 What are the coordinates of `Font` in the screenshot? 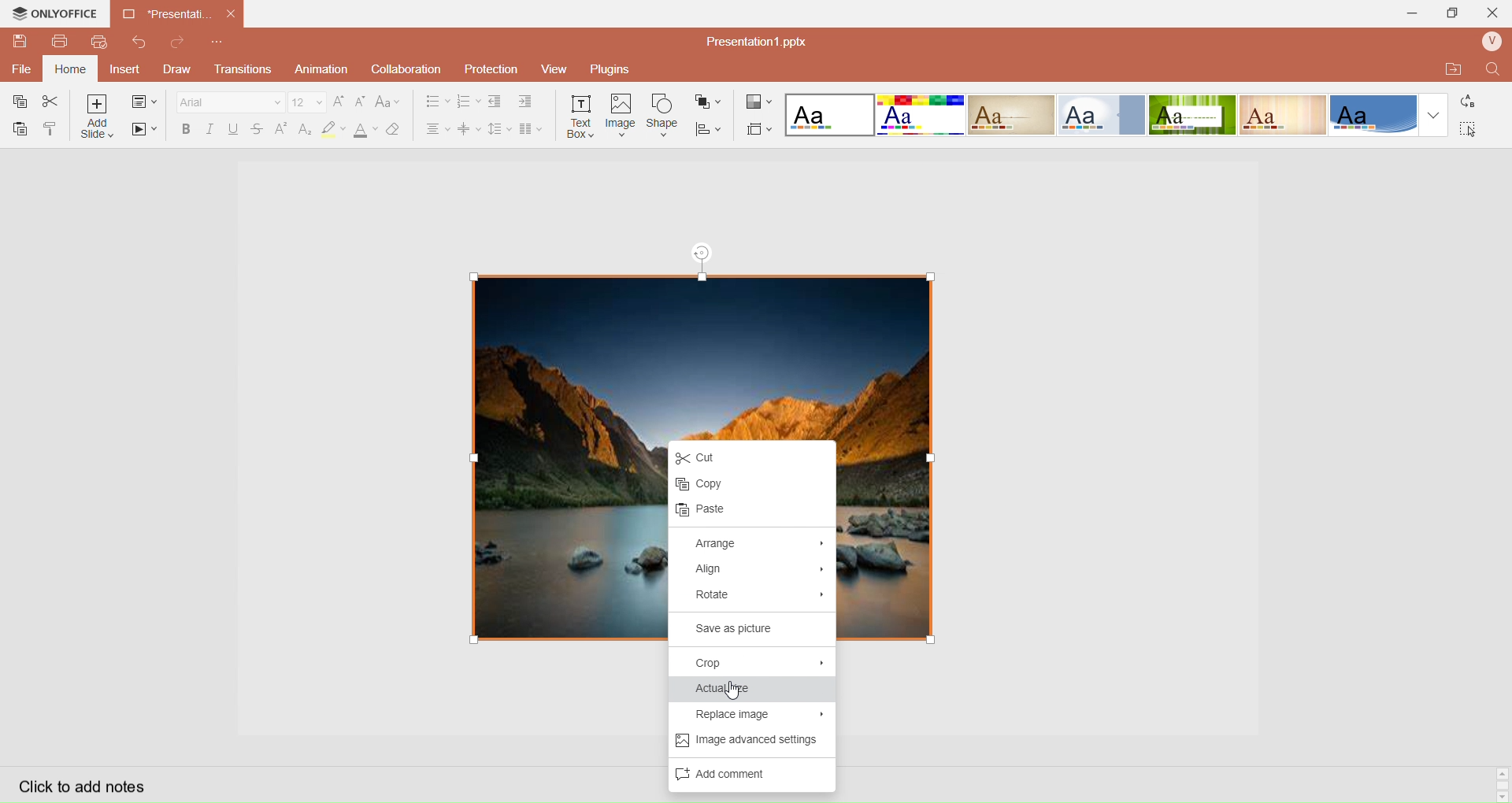 It's located at (231, 102).